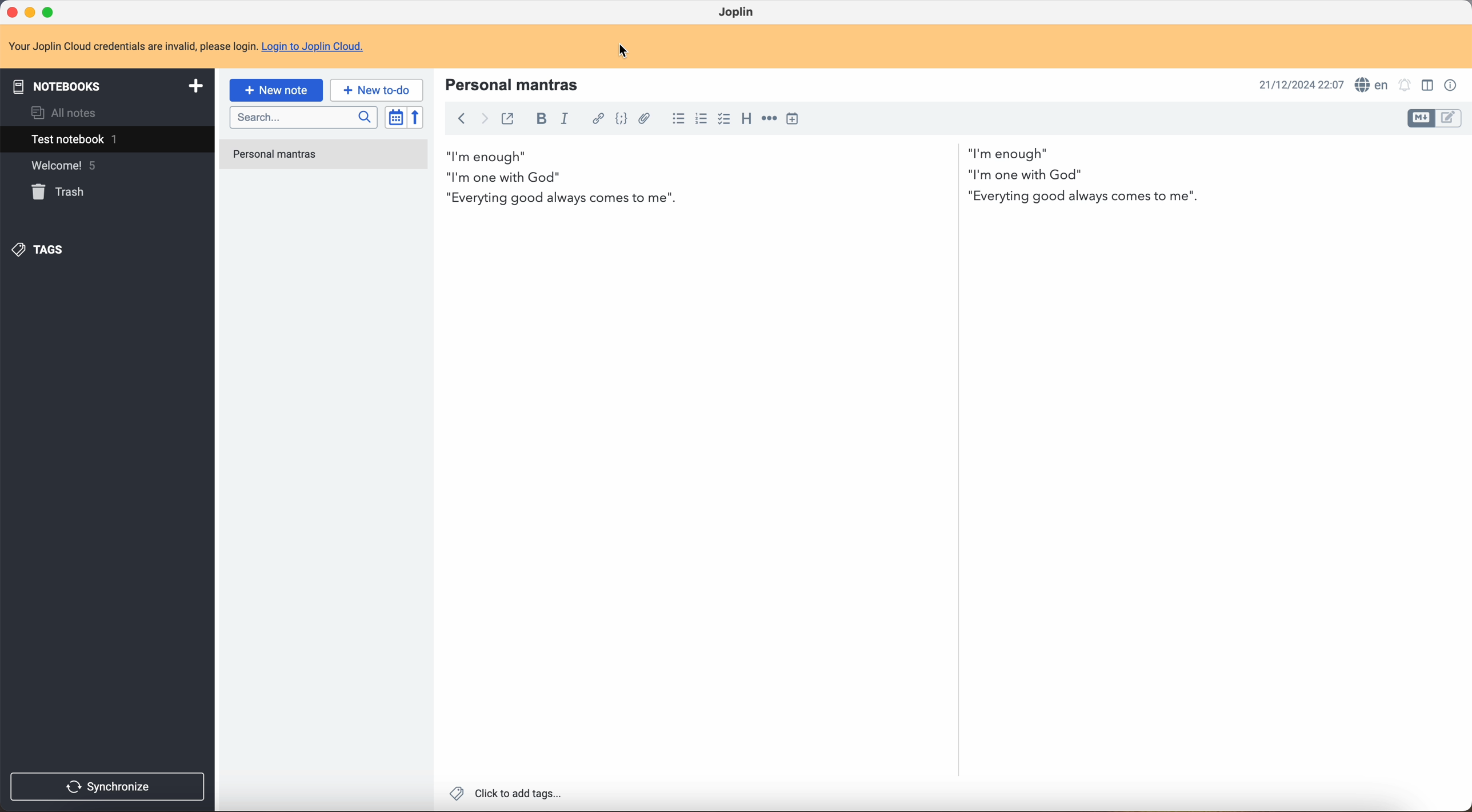  Describe the element at coordinates (105, 166) in the screenshot. I see `welcome` at that location.